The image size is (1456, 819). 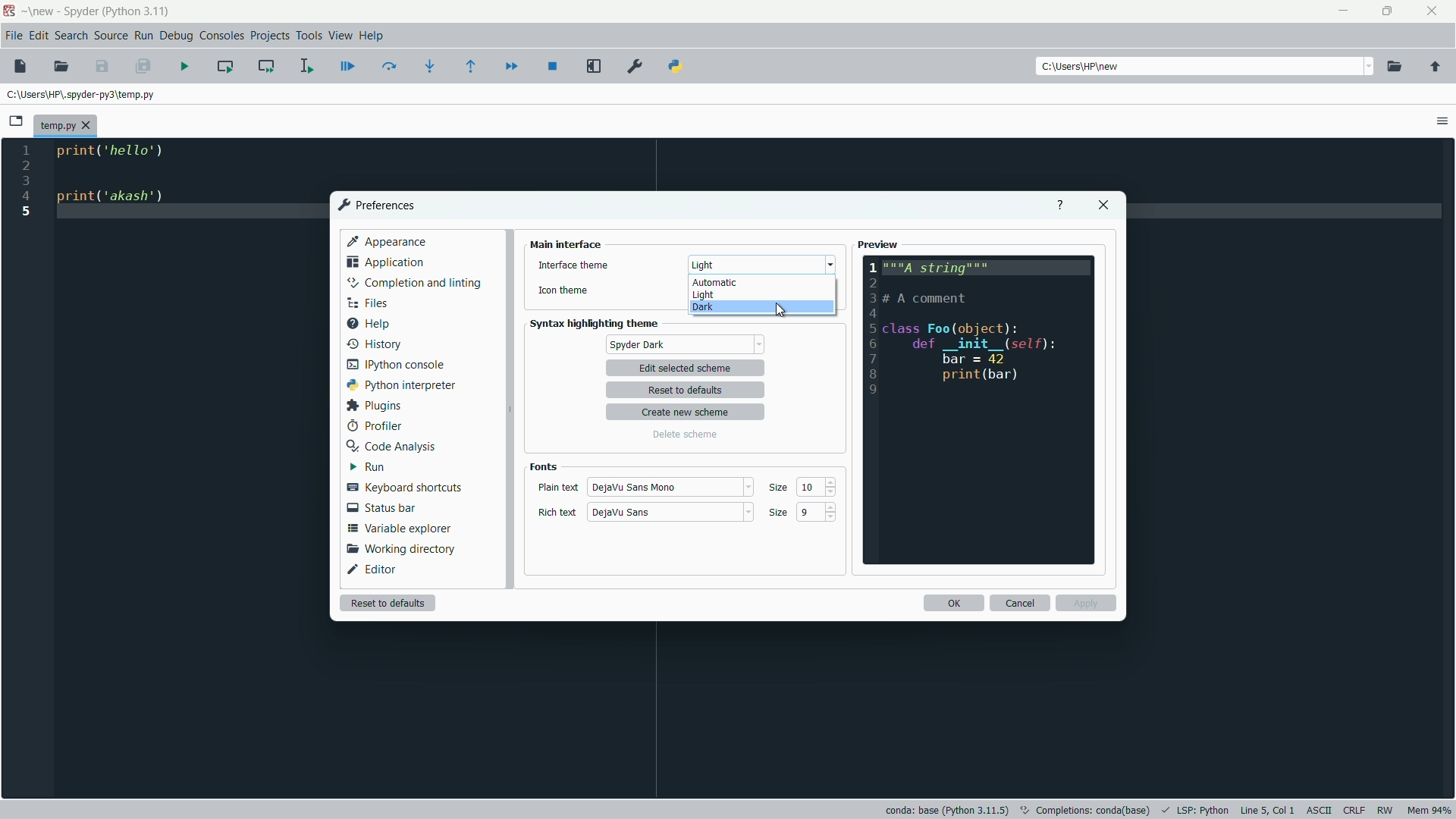 I want to click on history, so click(x=372, y=342).